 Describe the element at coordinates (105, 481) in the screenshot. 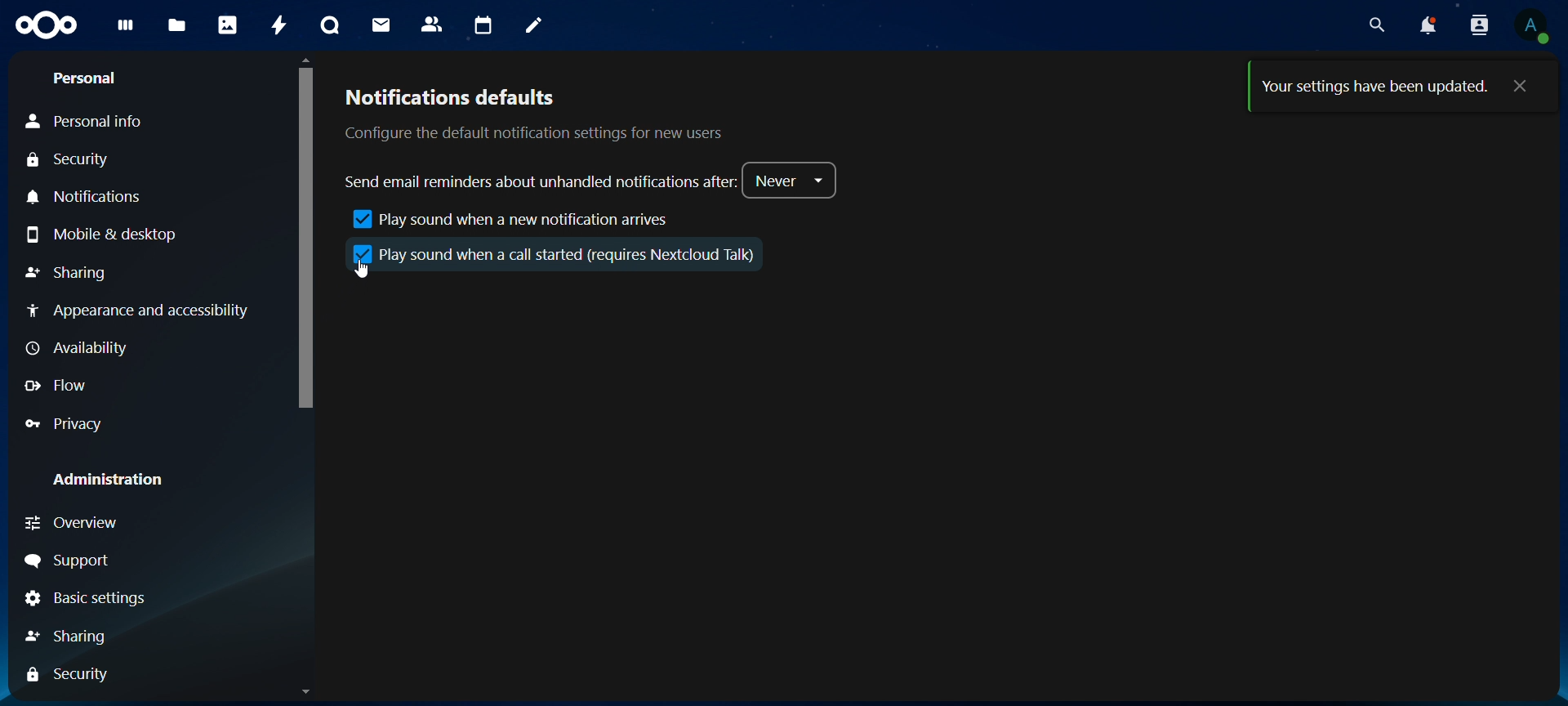

I see `Administration` at that location.